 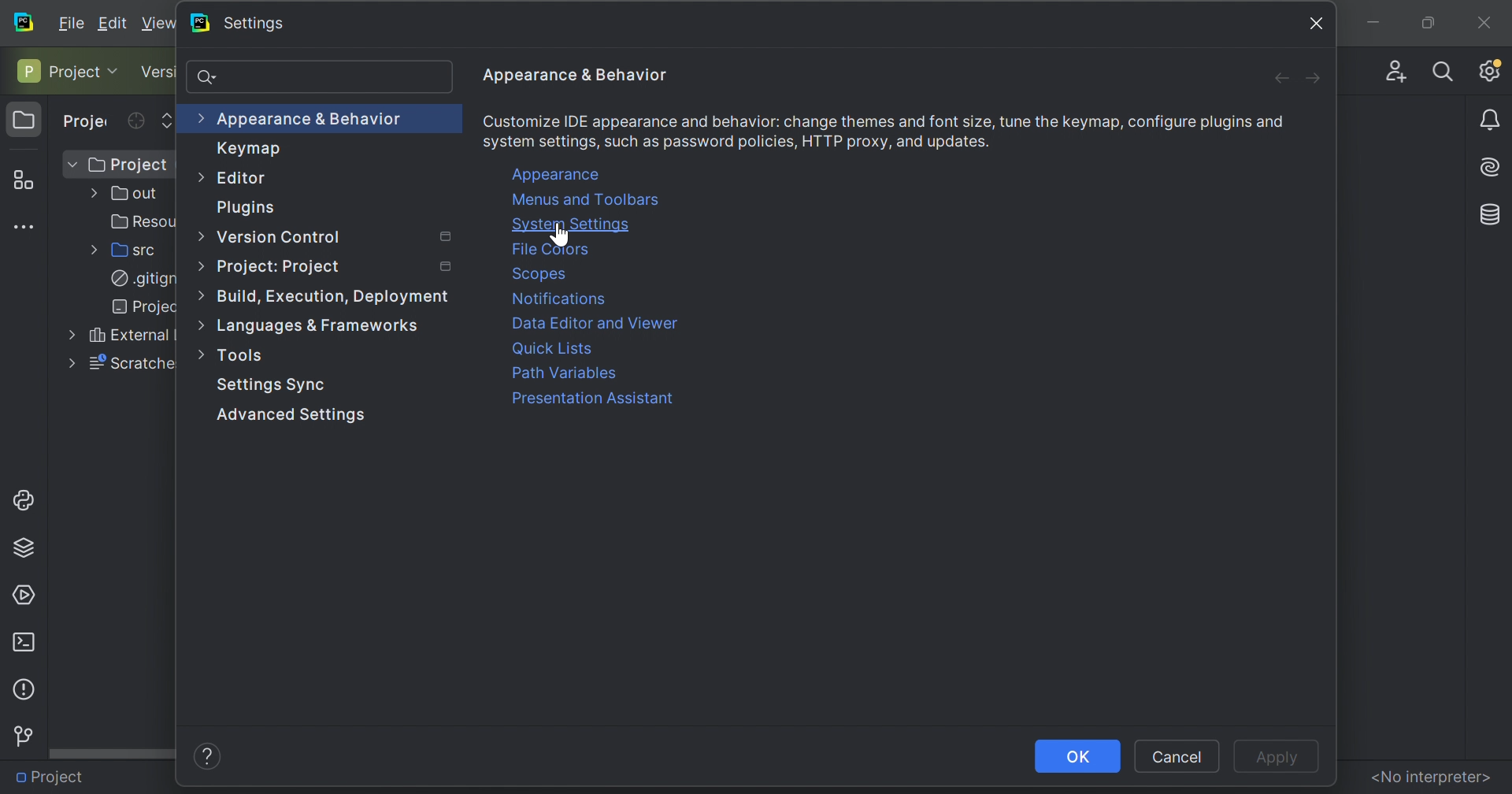 What do you see at coordinates (541, 273) in the screenshot?
I see `Scopes` at bounding box center [541, 273].